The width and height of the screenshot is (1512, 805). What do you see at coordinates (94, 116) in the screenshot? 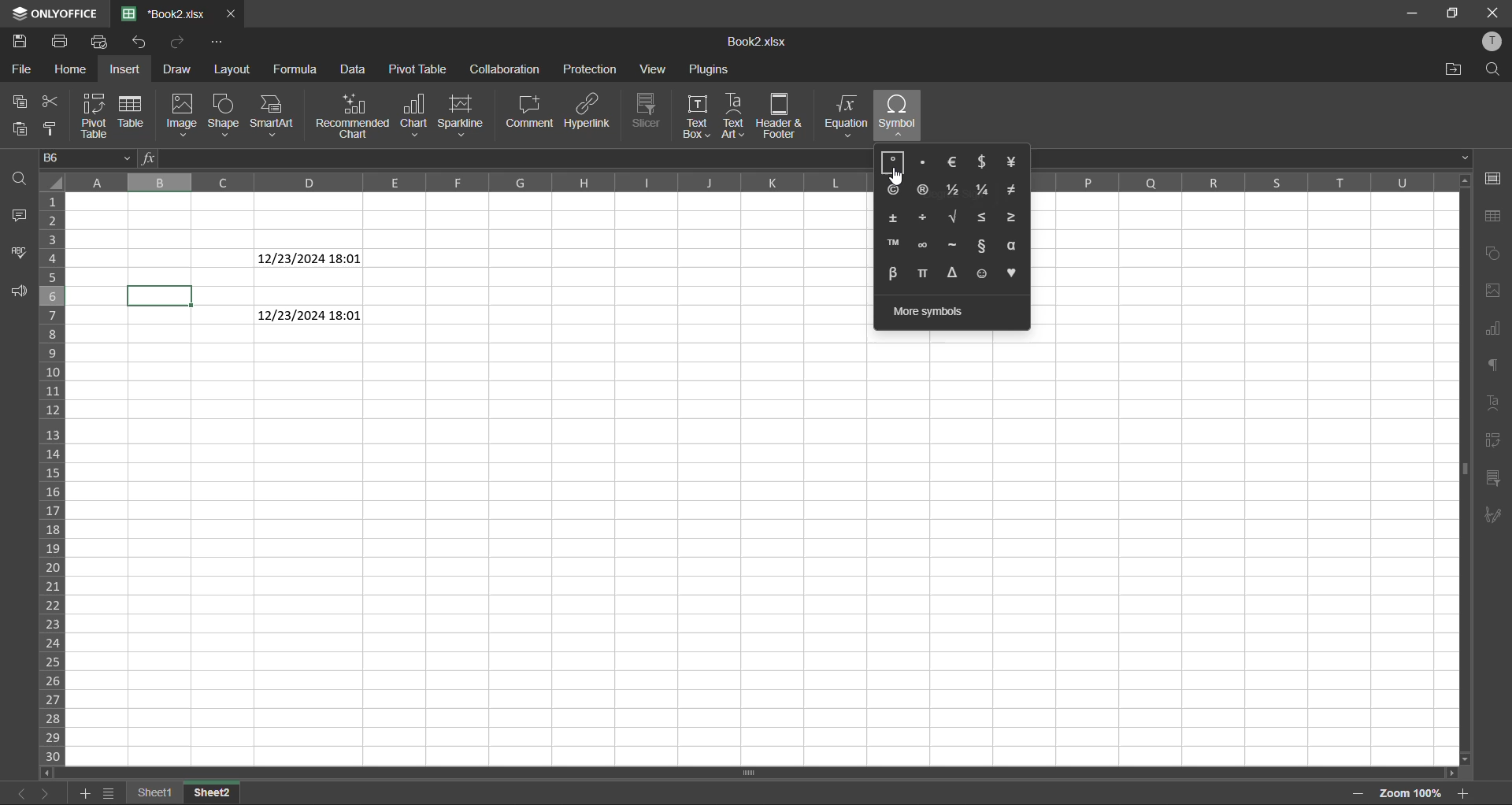
I see `pivot table` at bounding box center [94, 116].